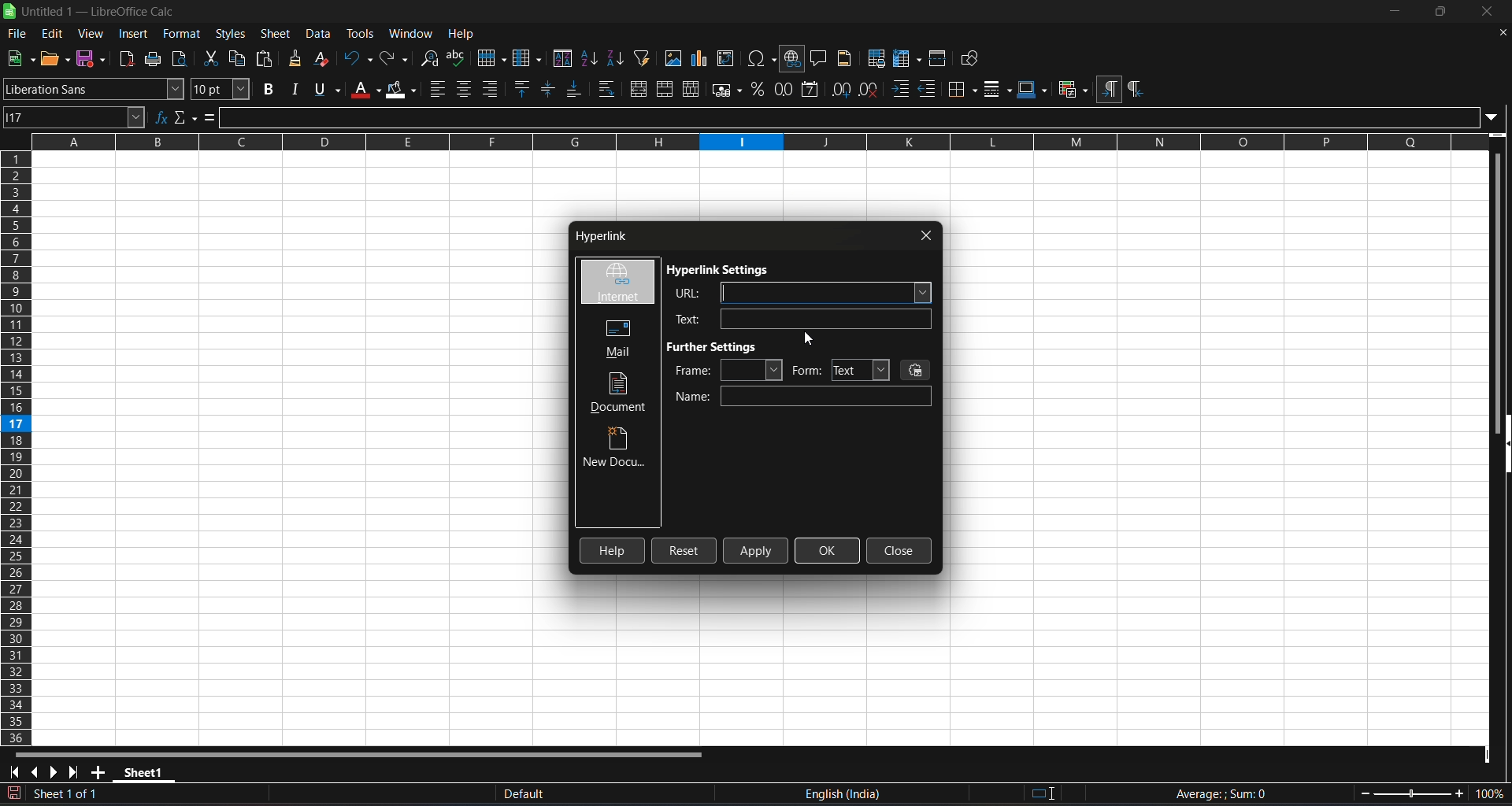 The width and height of the screenshot is (1512, 806). Describe the element at coordinates (665, 89) in the screenshot. I see `merge cells` at that location.